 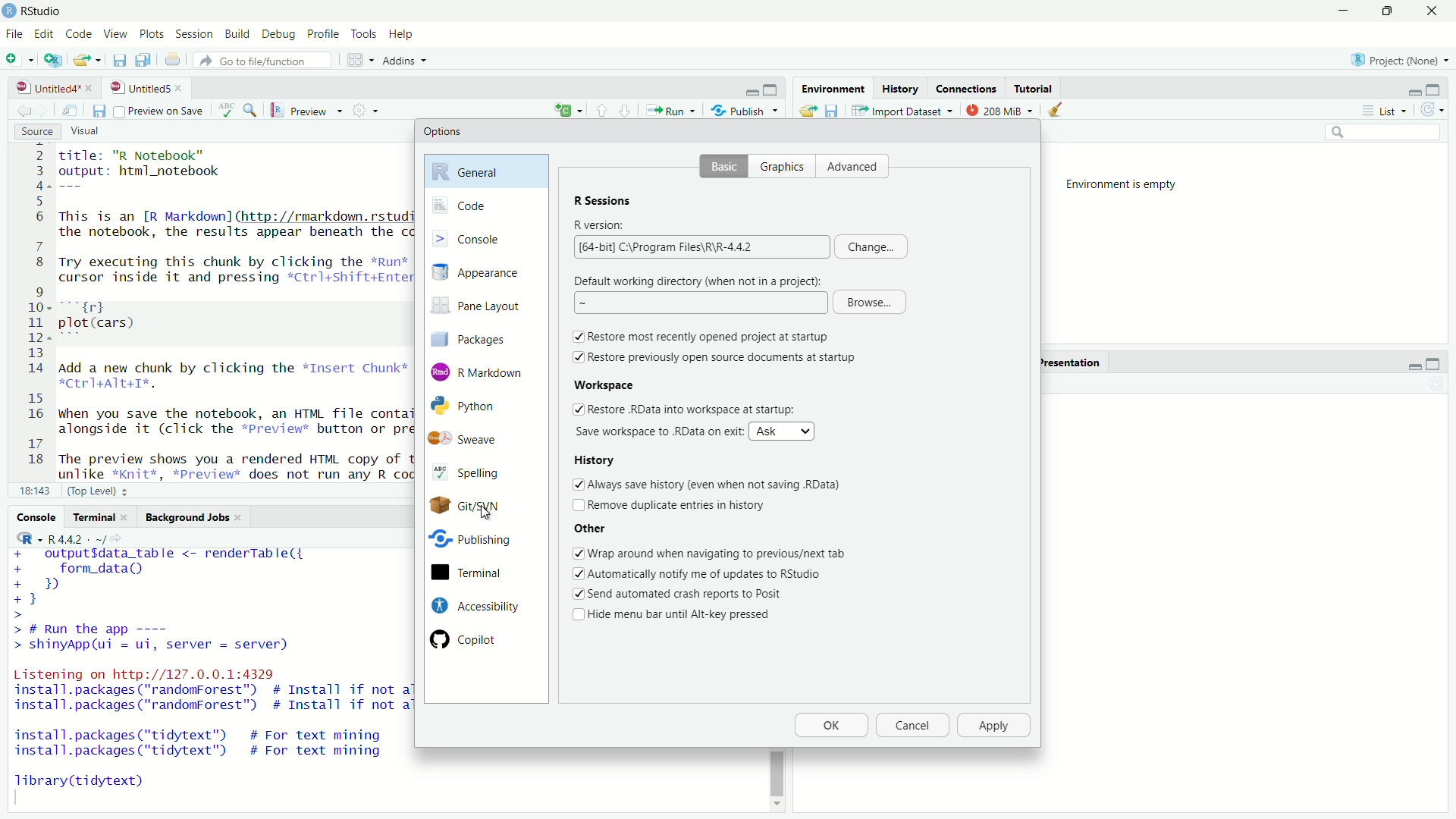 What do you see at coordinates (1433, 110) in the screenshot?
I see `refresh options` at bounding box center [1433, 110].